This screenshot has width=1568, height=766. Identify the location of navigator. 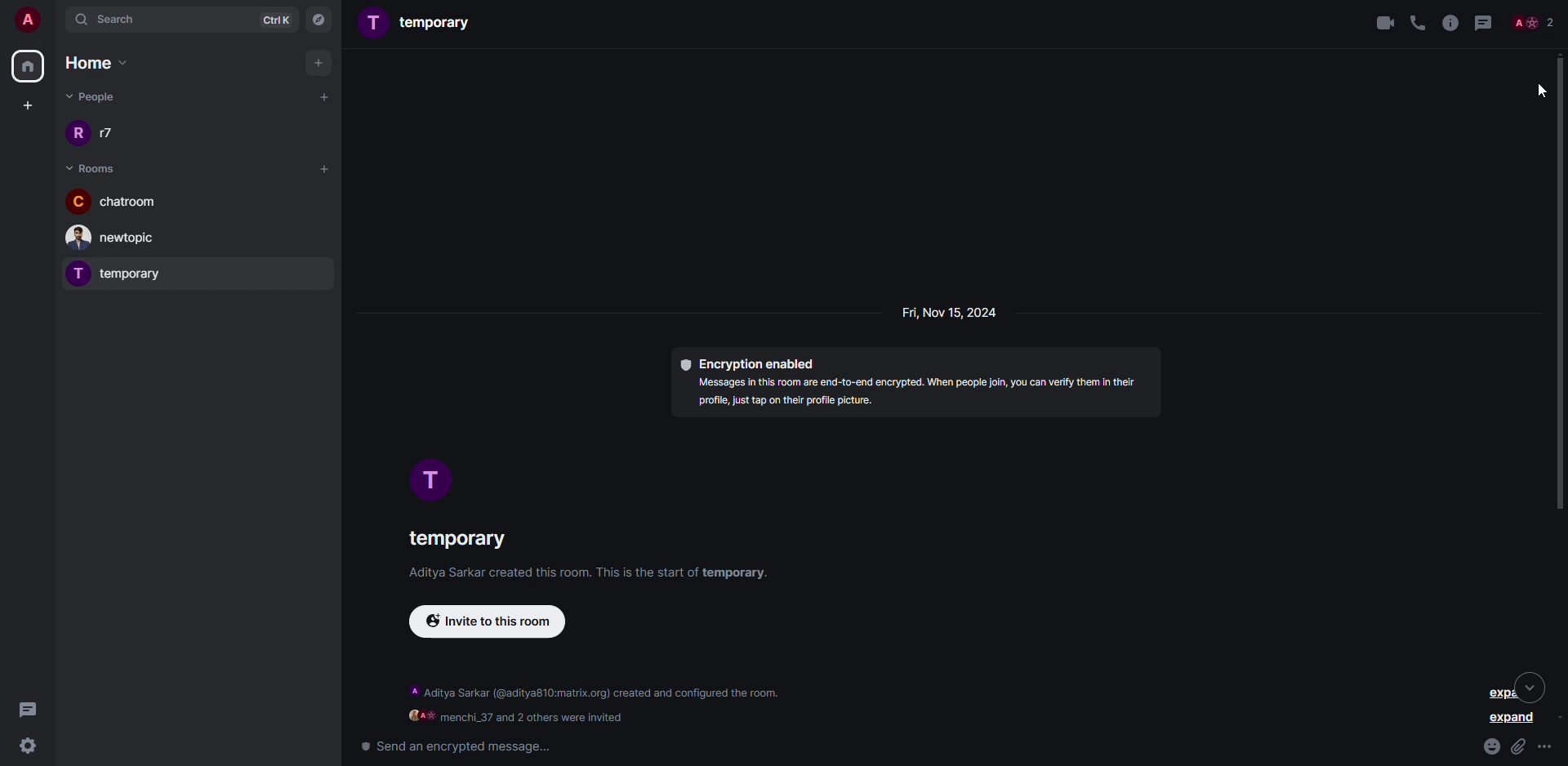
(320, 19).